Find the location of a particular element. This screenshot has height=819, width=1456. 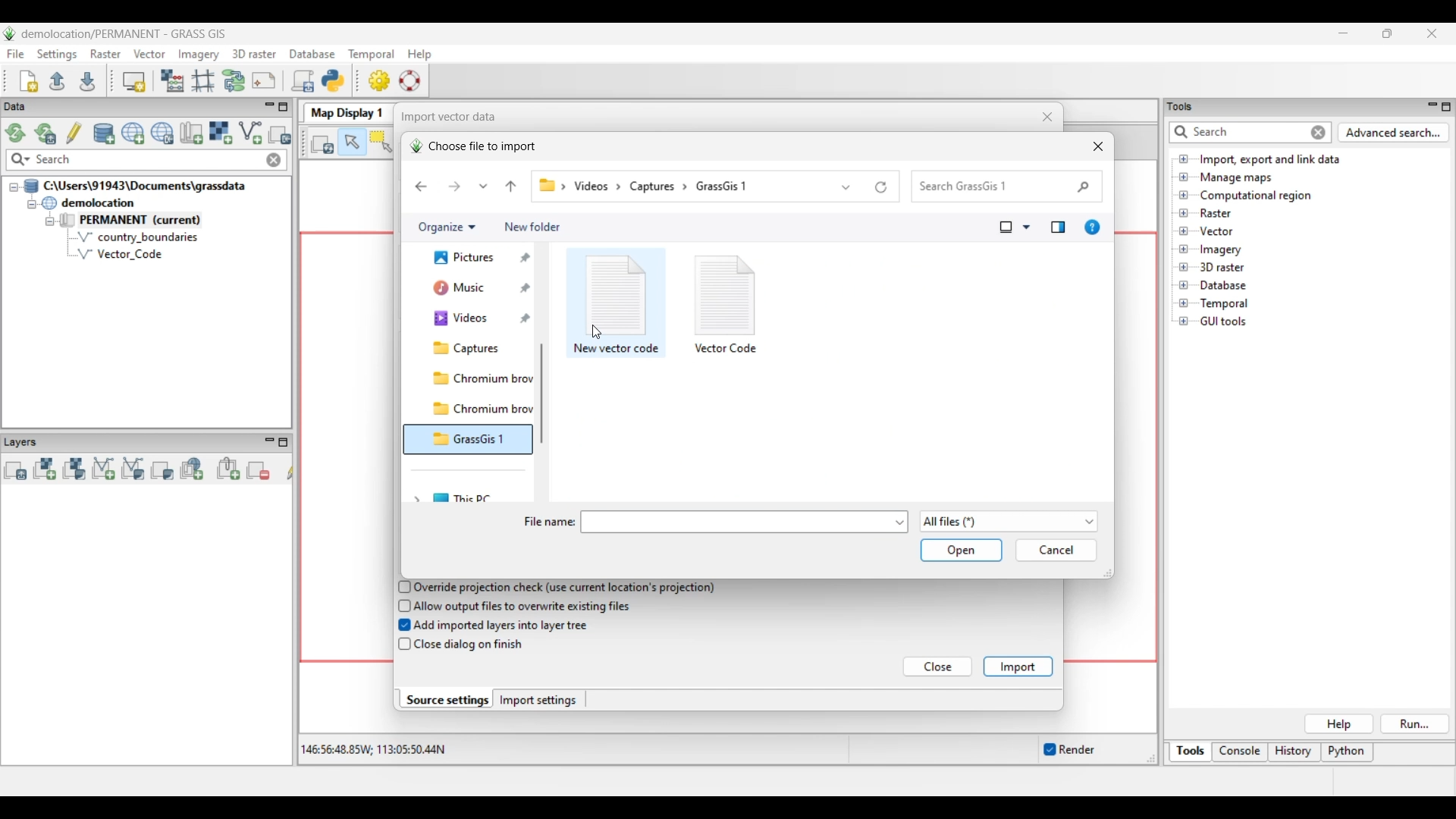

Imagery menu is located at coordinates (199, 55).